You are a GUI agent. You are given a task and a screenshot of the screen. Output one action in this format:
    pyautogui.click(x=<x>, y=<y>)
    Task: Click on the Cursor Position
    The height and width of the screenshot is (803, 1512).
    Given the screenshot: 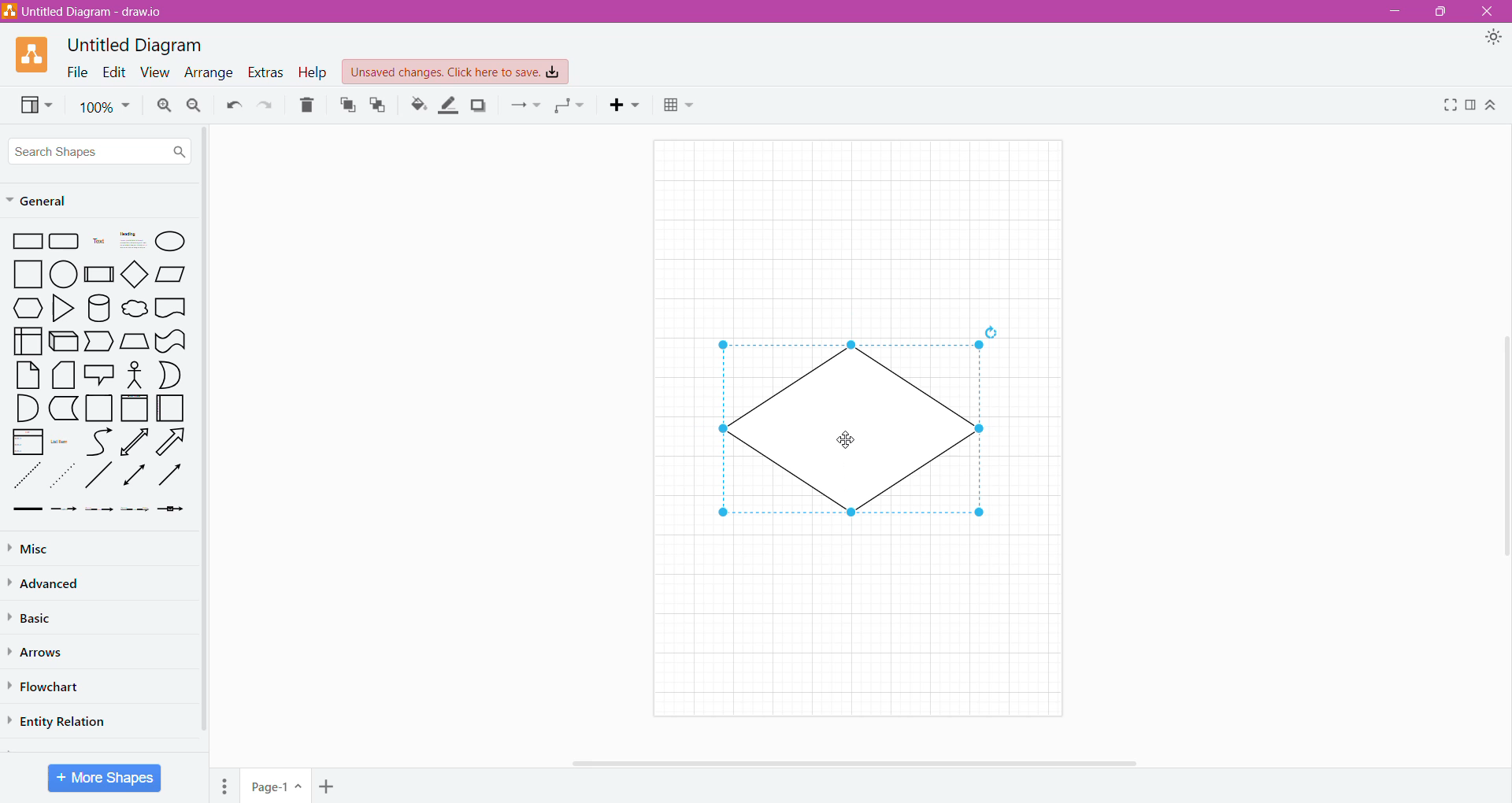 What is the action you would take?
    pyautogui.click(x=846, y=439)
    